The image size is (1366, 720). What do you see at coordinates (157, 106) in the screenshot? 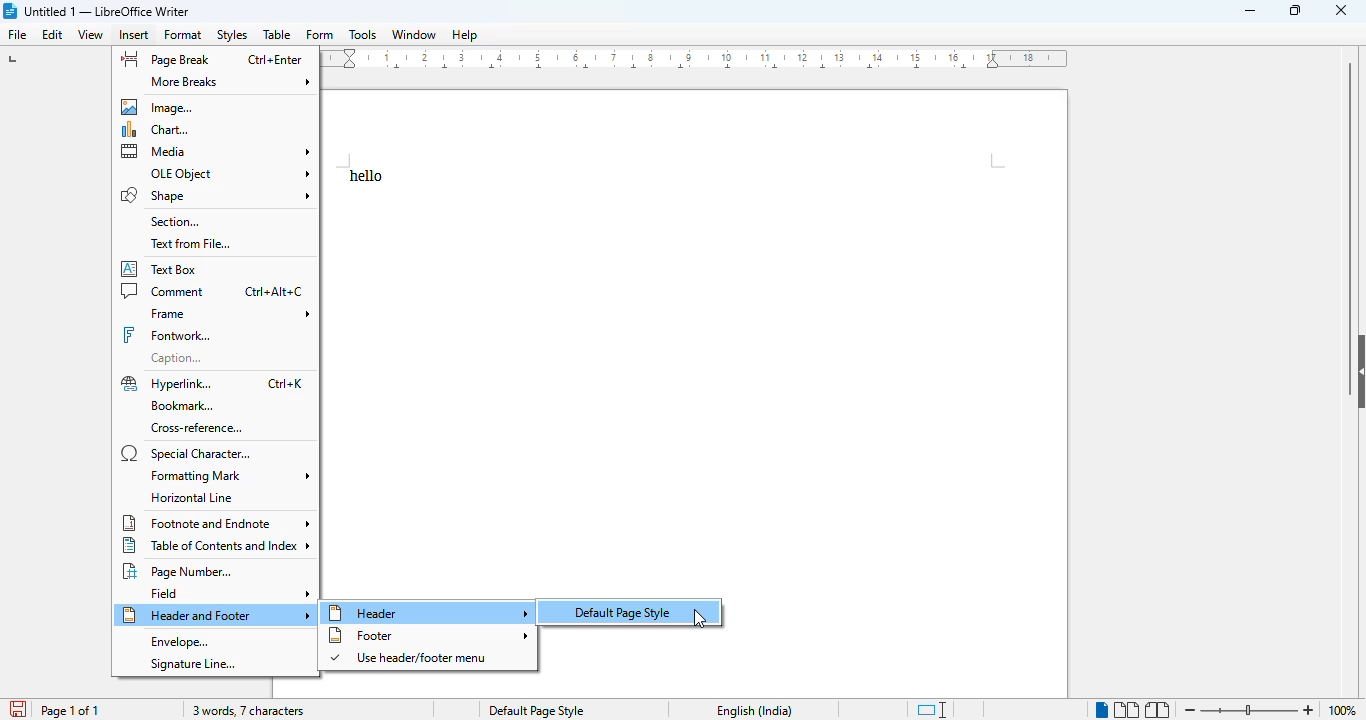
I see `image` at bounding box center [157, 106].